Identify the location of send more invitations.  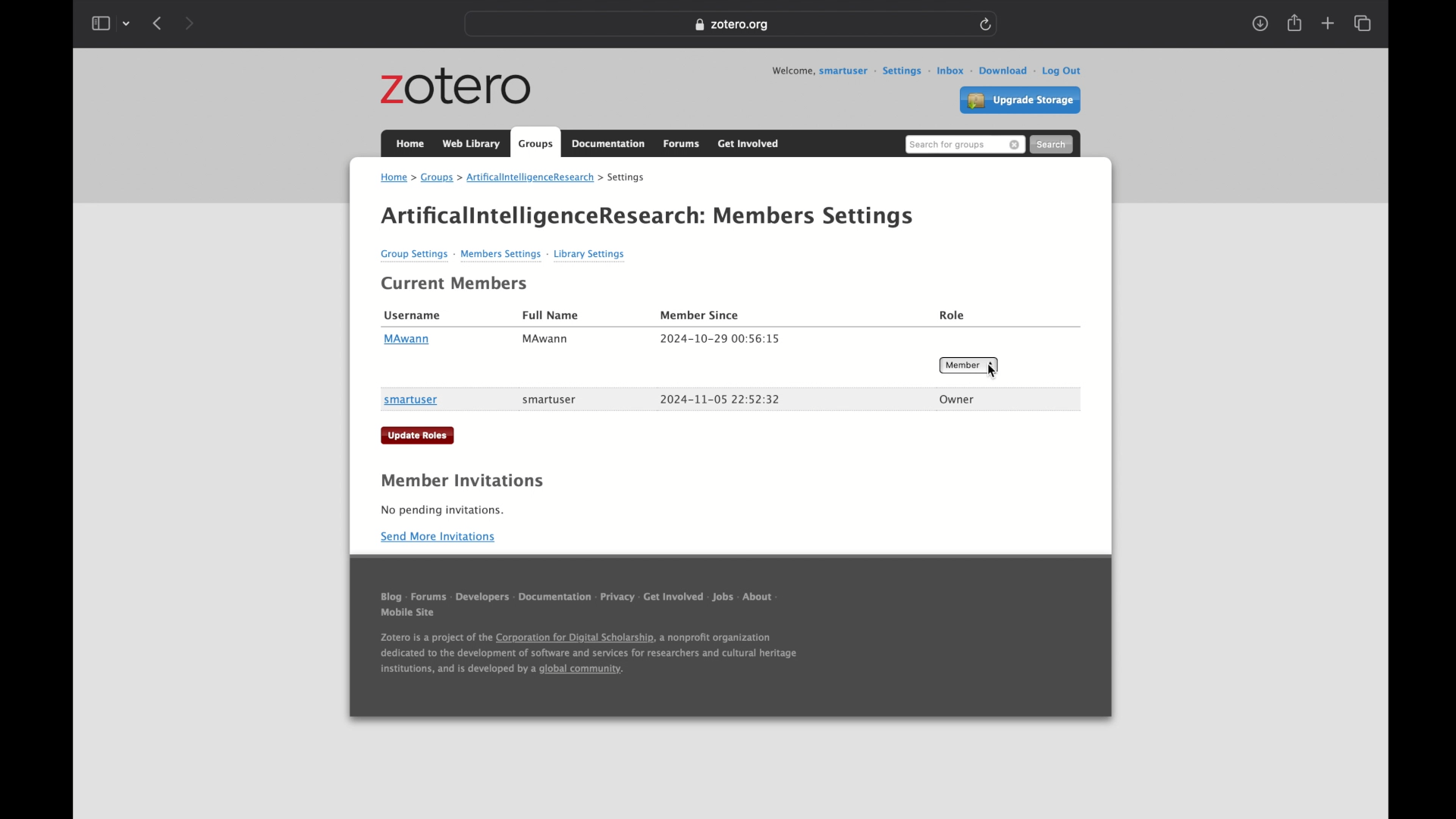
(439, 537).